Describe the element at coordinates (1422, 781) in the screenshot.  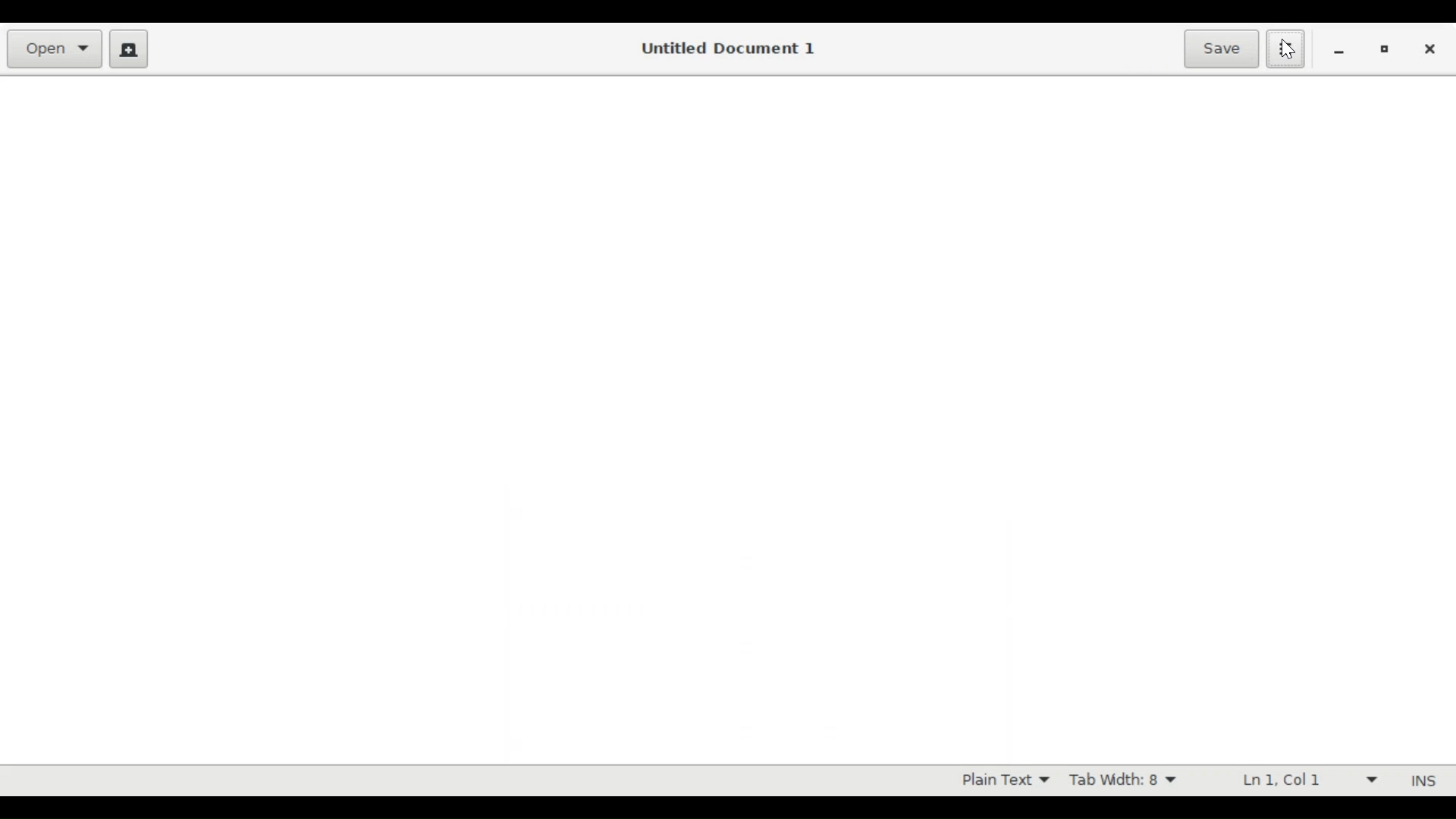
I see `INS` at that location.